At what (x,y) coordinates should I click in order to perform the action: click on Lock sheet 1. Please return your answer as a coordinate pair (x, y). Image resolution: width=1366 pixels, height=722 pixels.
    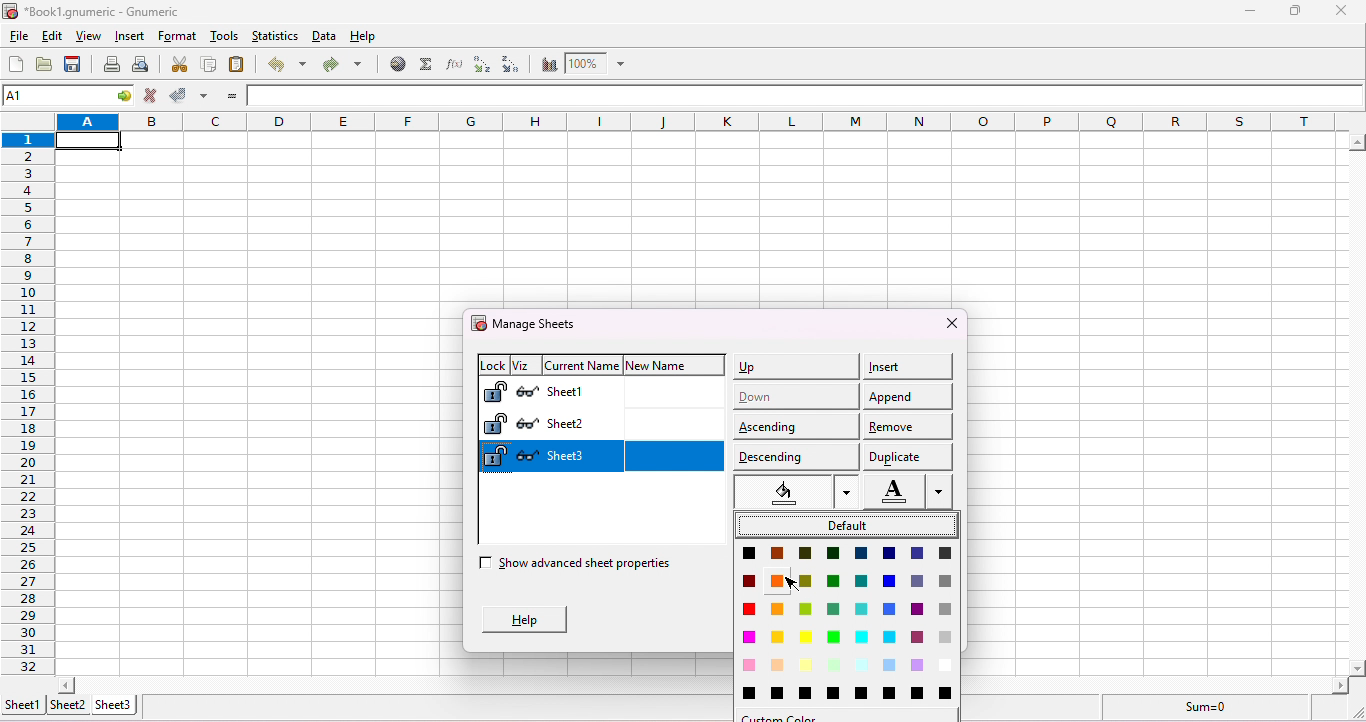
    Looking at the image, I should click on (495, 393).